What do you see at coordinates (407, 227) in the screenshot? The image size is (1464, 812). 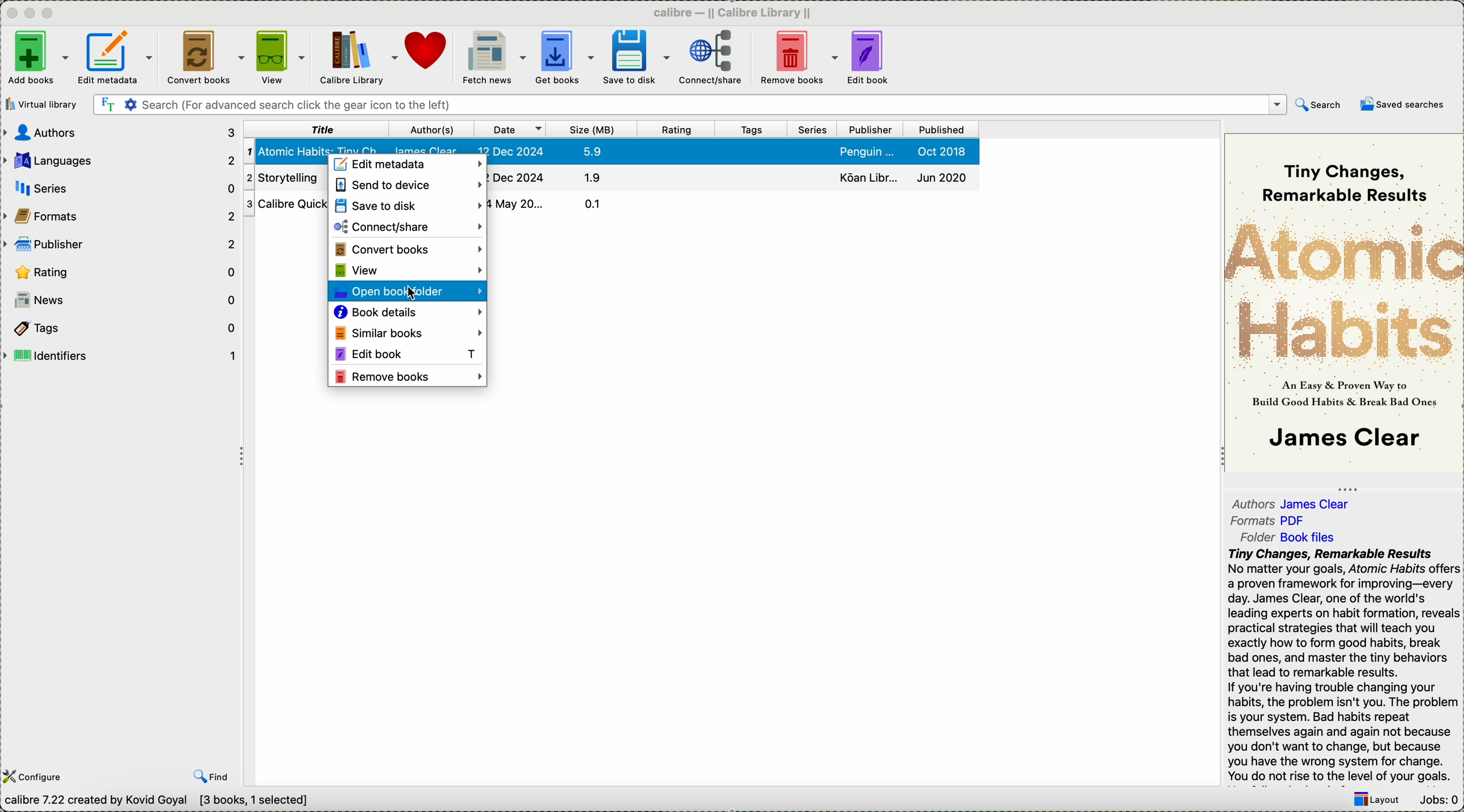 I see `connect/share` at bounding box center [407, 227].